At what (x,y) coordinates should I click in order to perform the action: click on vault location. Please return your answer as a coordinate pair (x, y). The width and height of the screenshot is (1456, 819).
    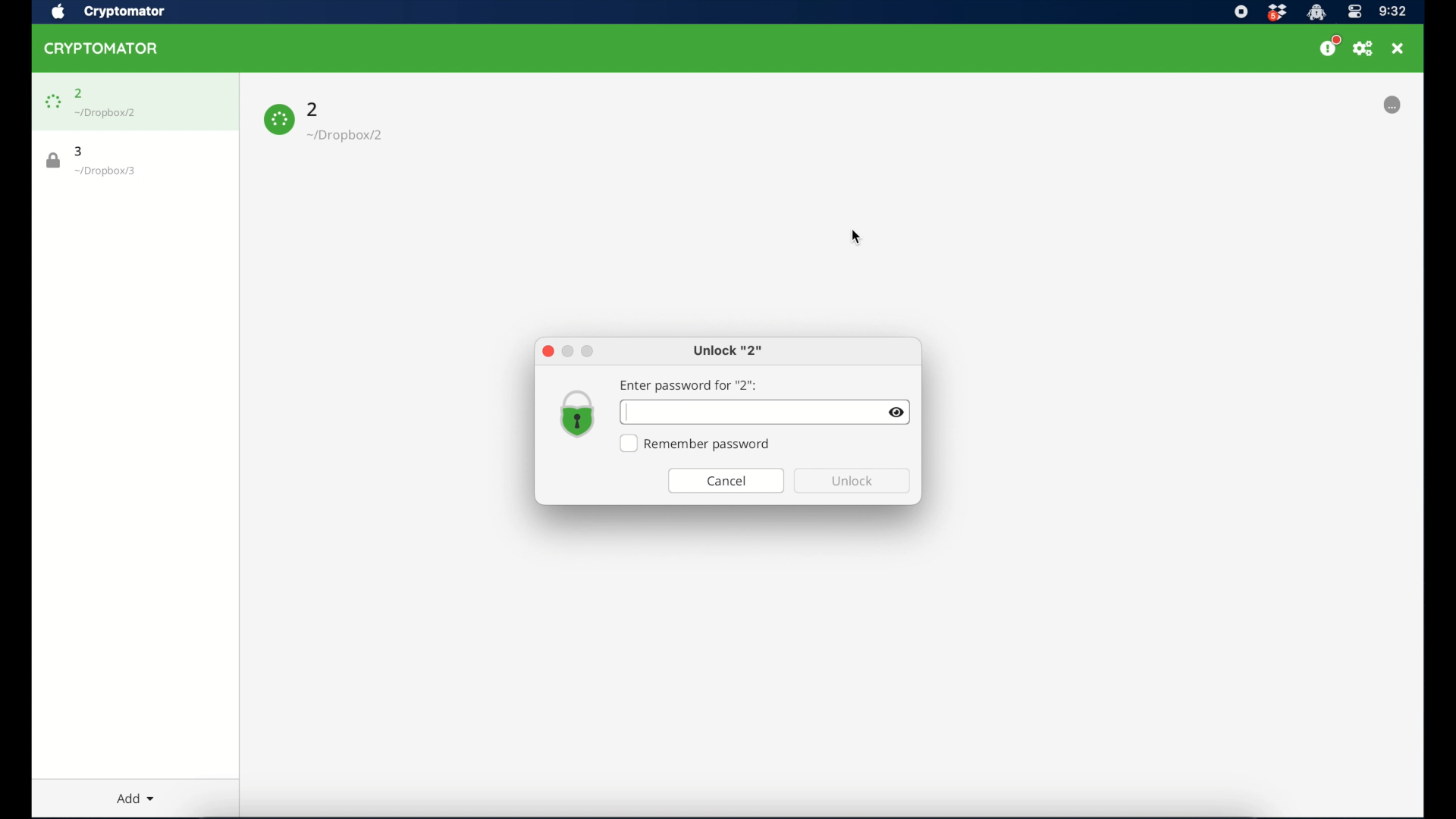
    Looking at the image, I should click on (348, 135).